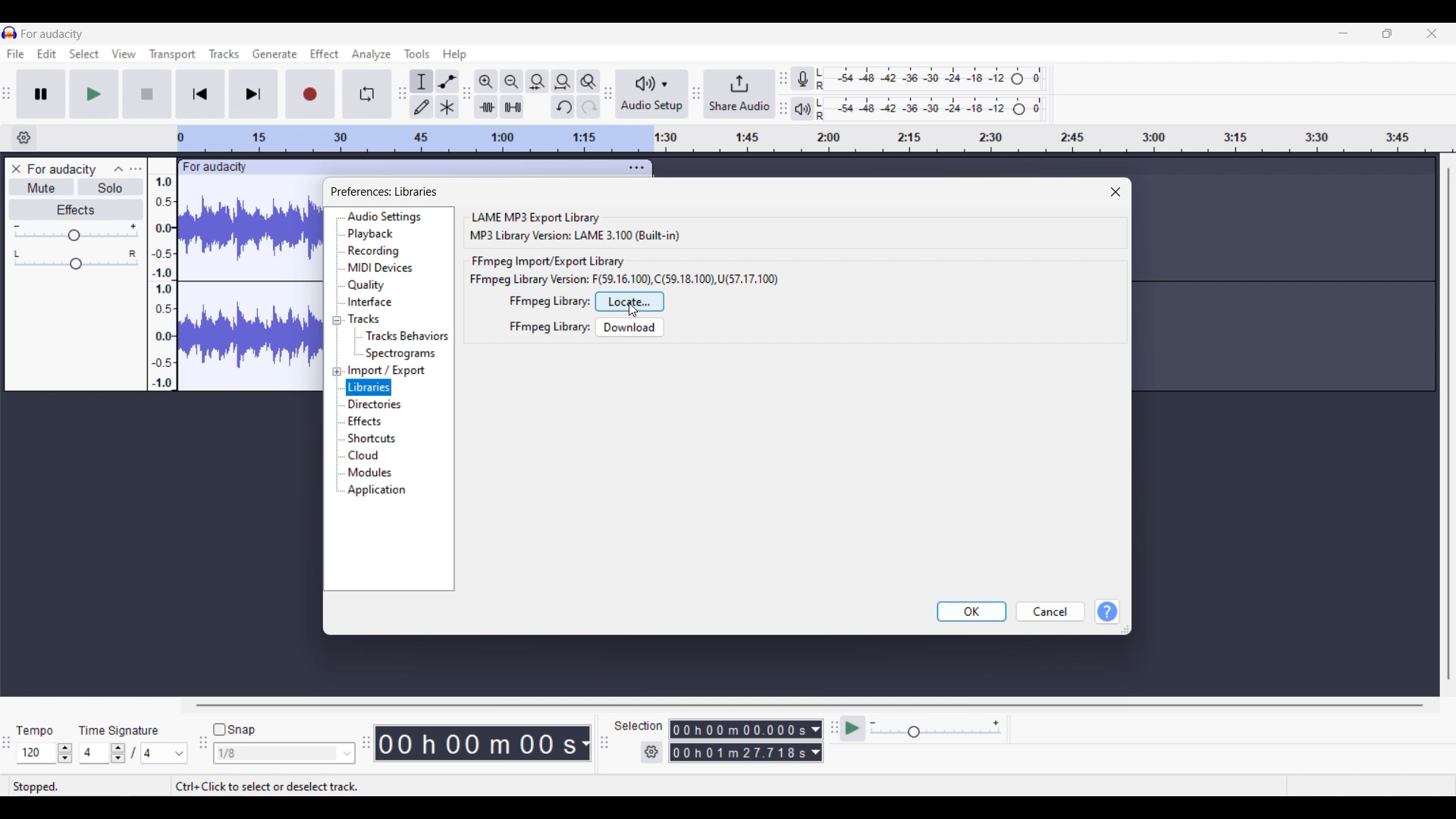 This screenshot has height=819, width=1456. Describe the element at coordinates (380, 268) in the screenshot. I see `MIDI devices` at that location.